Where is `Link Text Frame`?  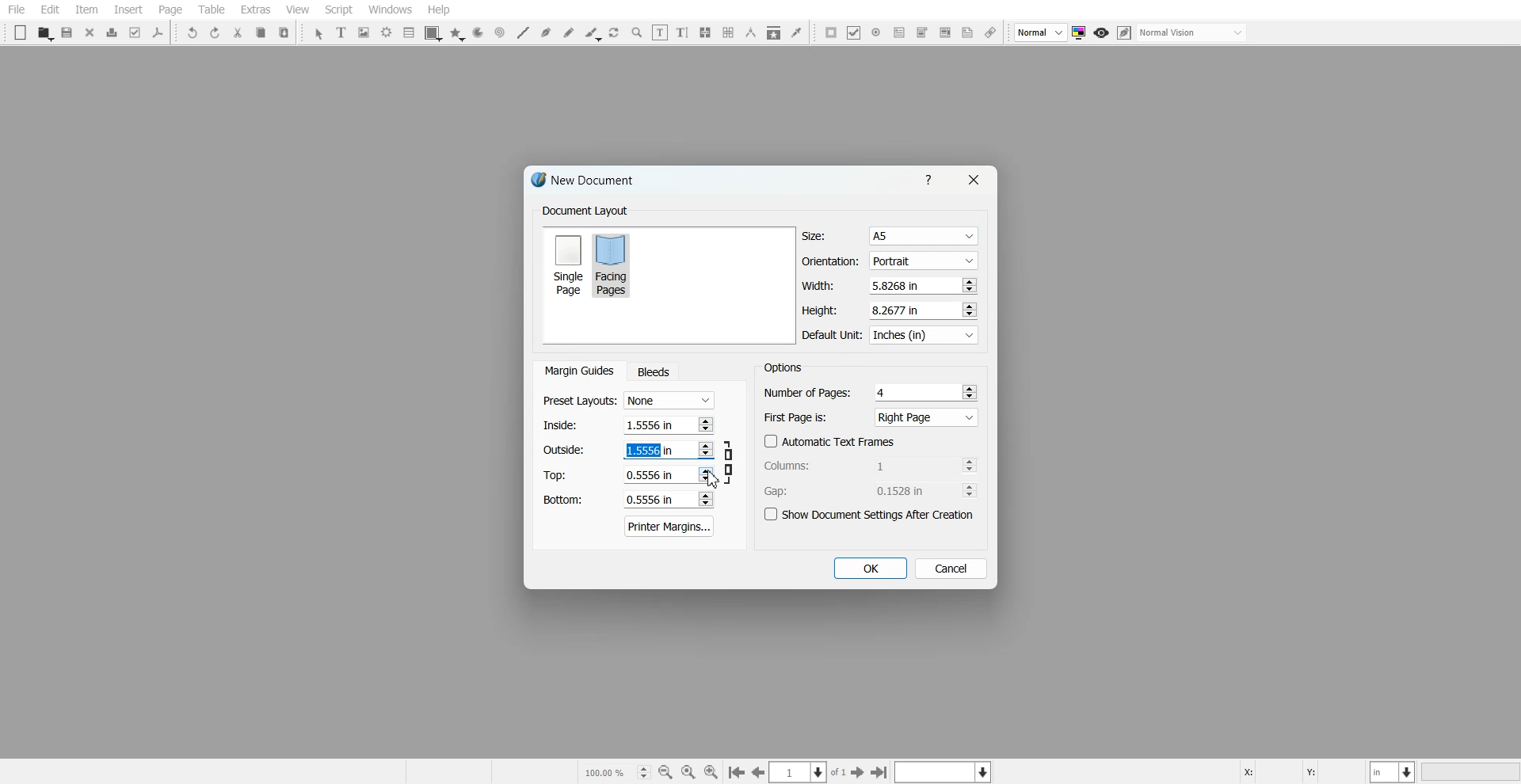
Link Text Frame is located at coordinates (705, 32).